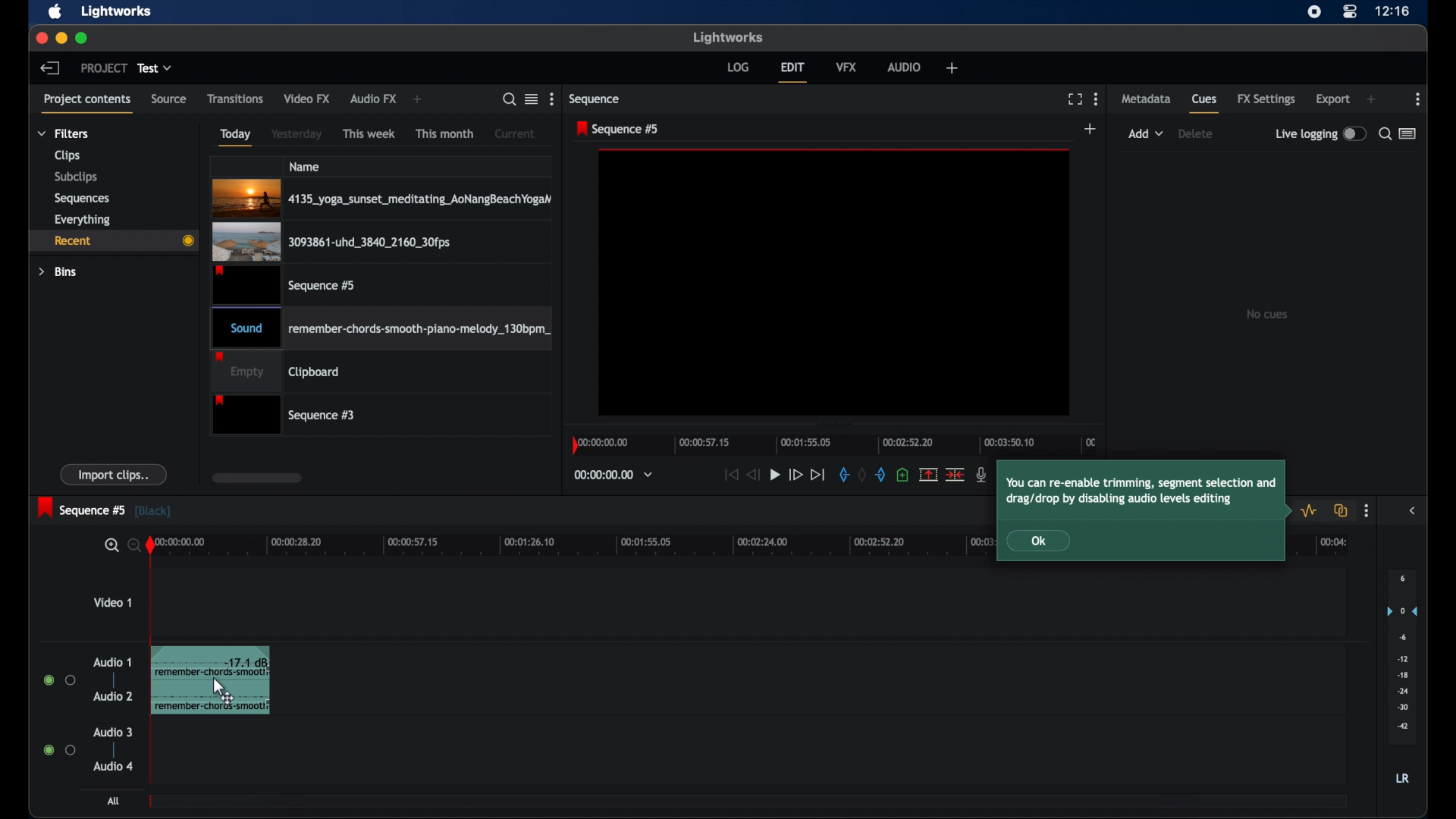 This screenshot has width=1456, height=819. I want to click on full screen, so click(1075, 99).